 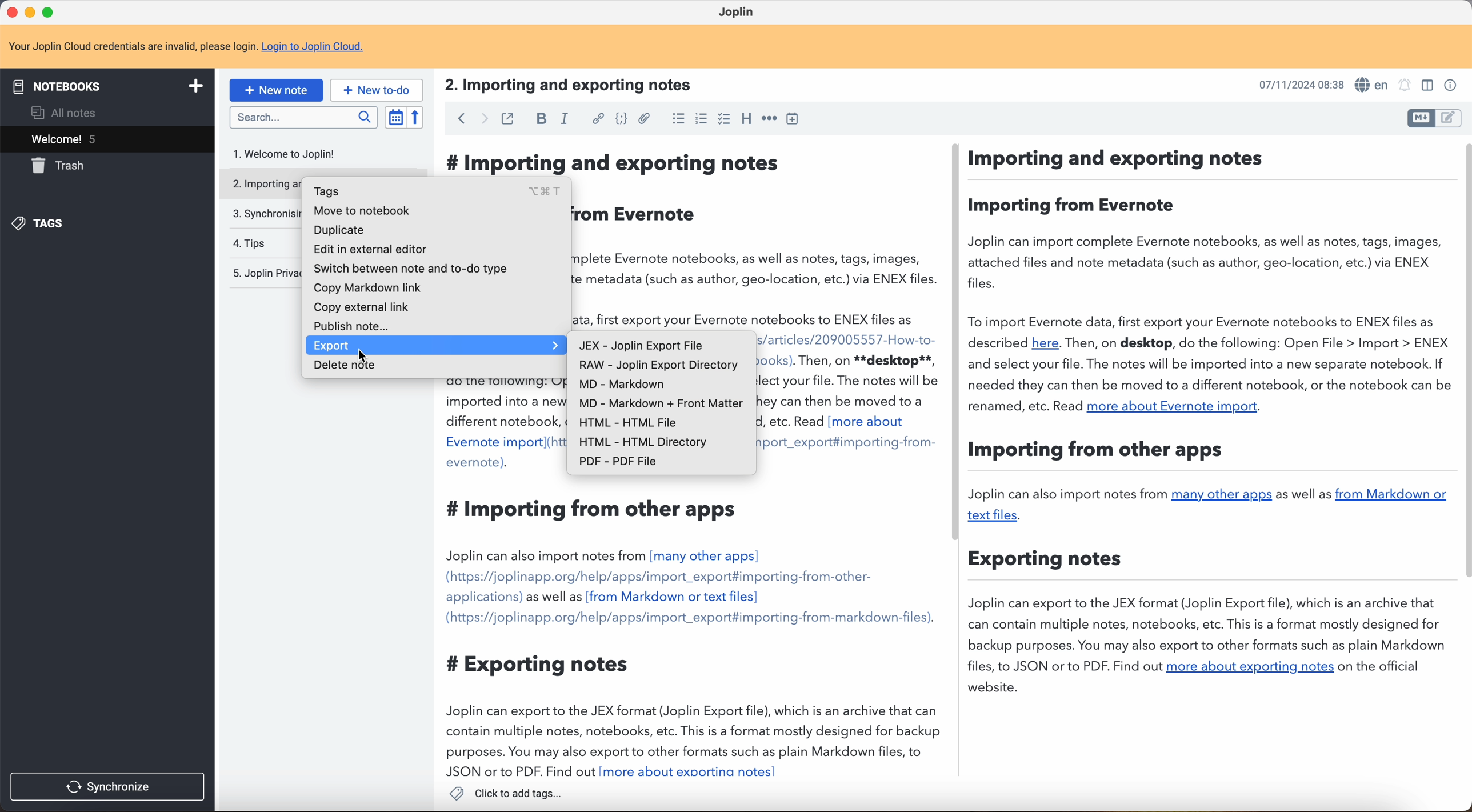 What do you see at coordinates (249, 244) in the screenshot?
I see `tips` at bounding box center [249, 244].